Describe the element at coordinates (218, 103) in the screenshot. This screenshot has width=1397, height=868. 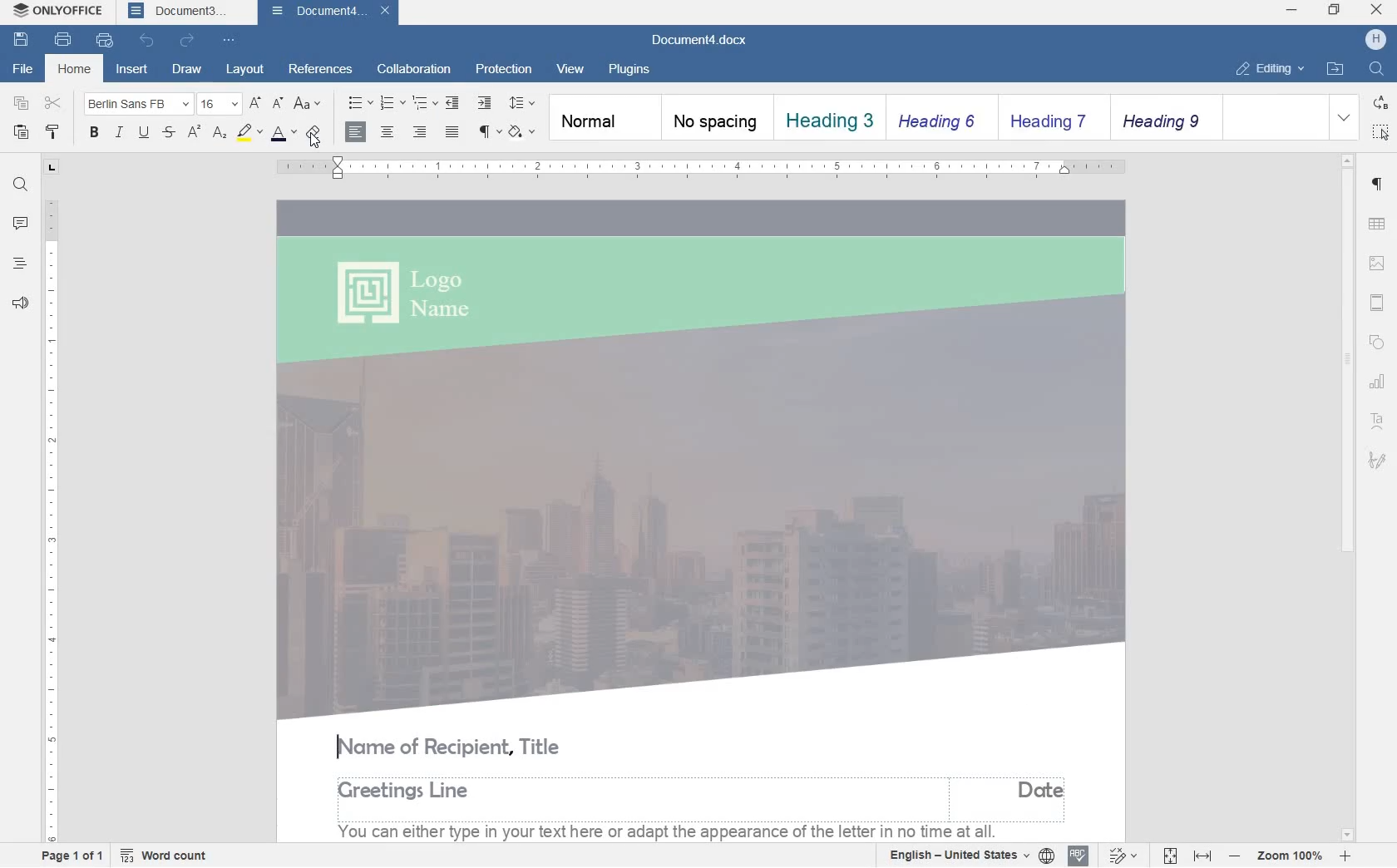
I see `font size` at that location.